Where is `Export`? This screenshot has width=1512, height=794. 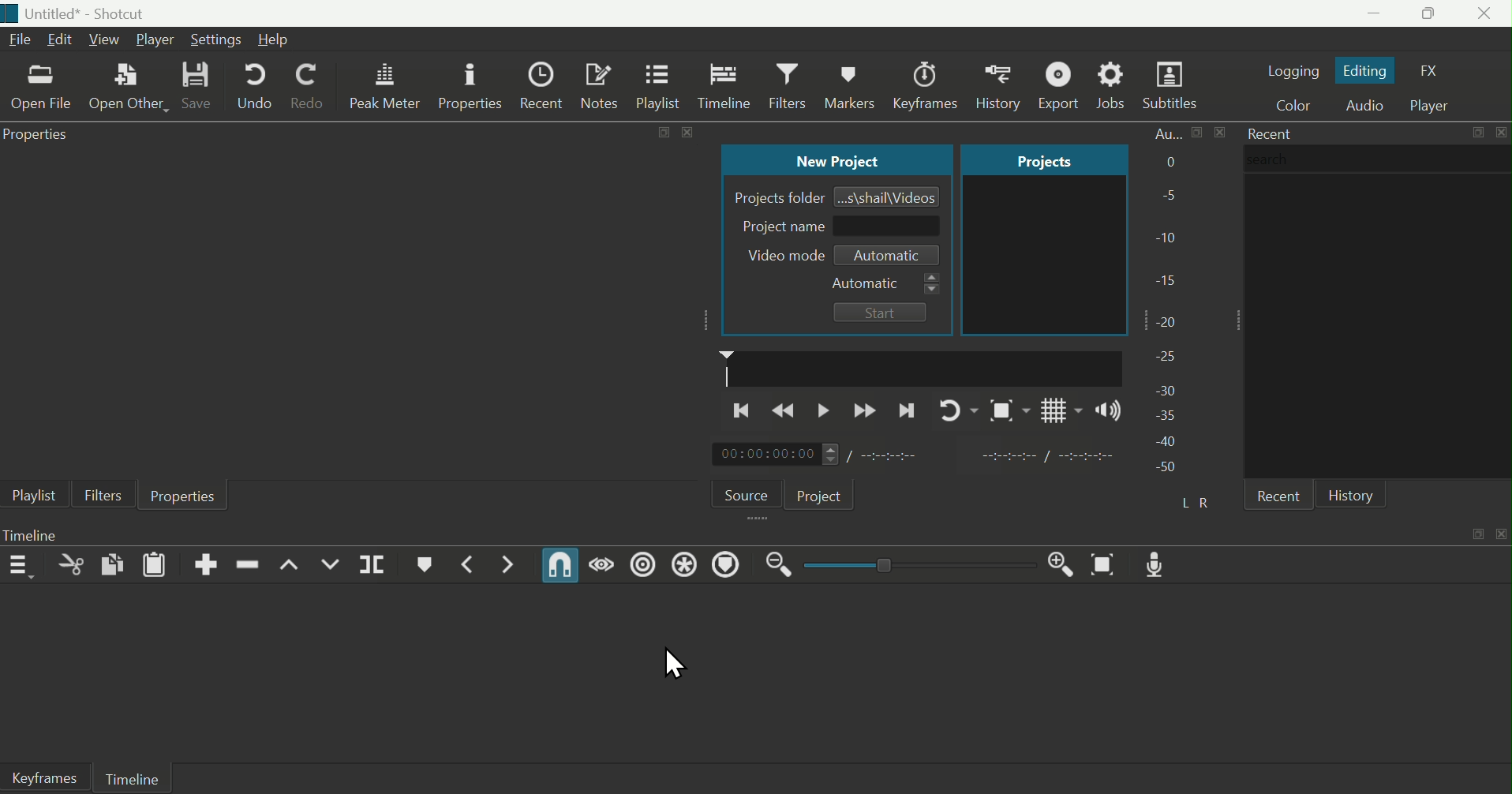
Export is located at coordinates (1062, 85).